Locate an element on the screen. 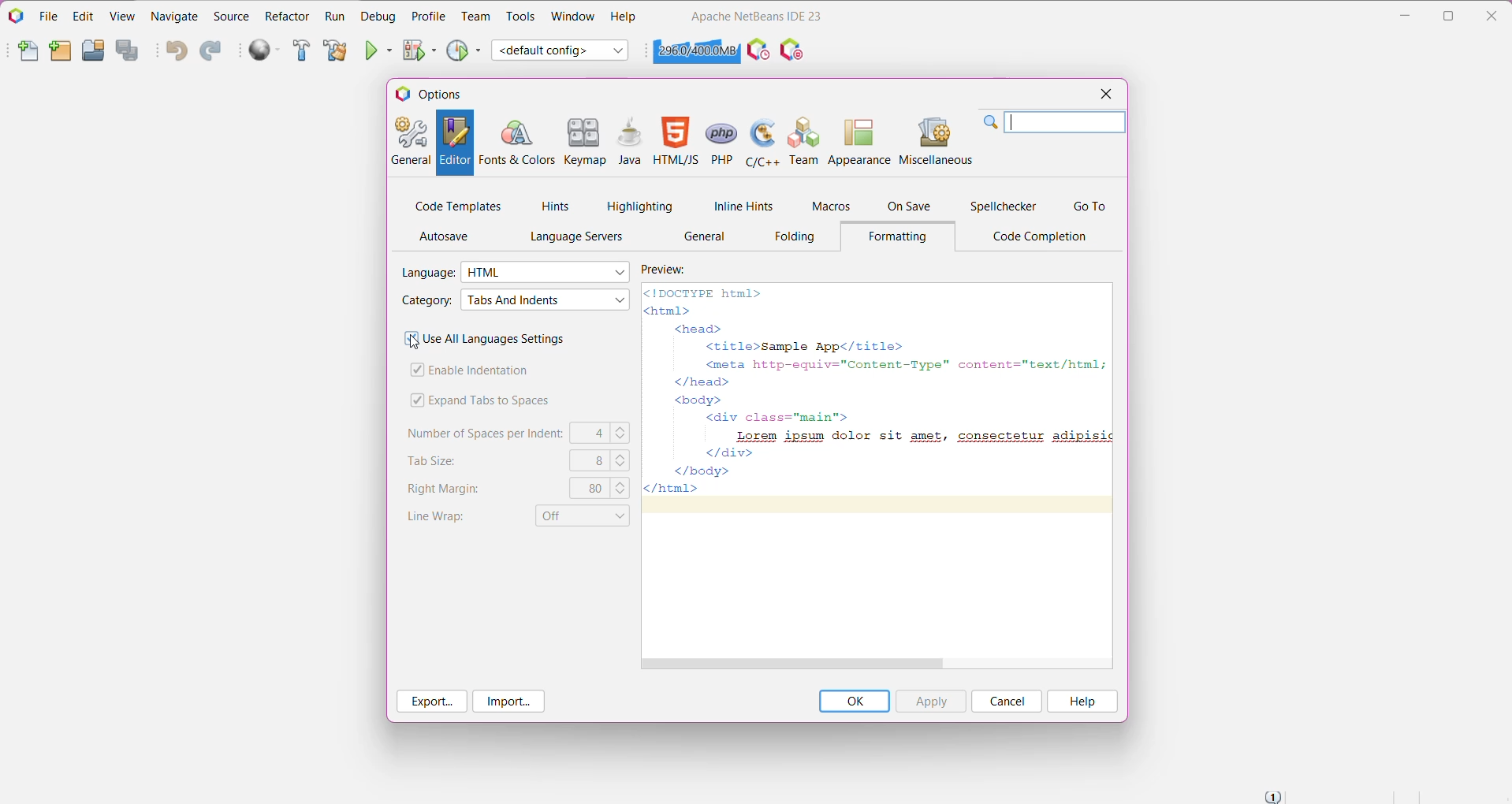  Navigate is located at coordinates (177, 15).